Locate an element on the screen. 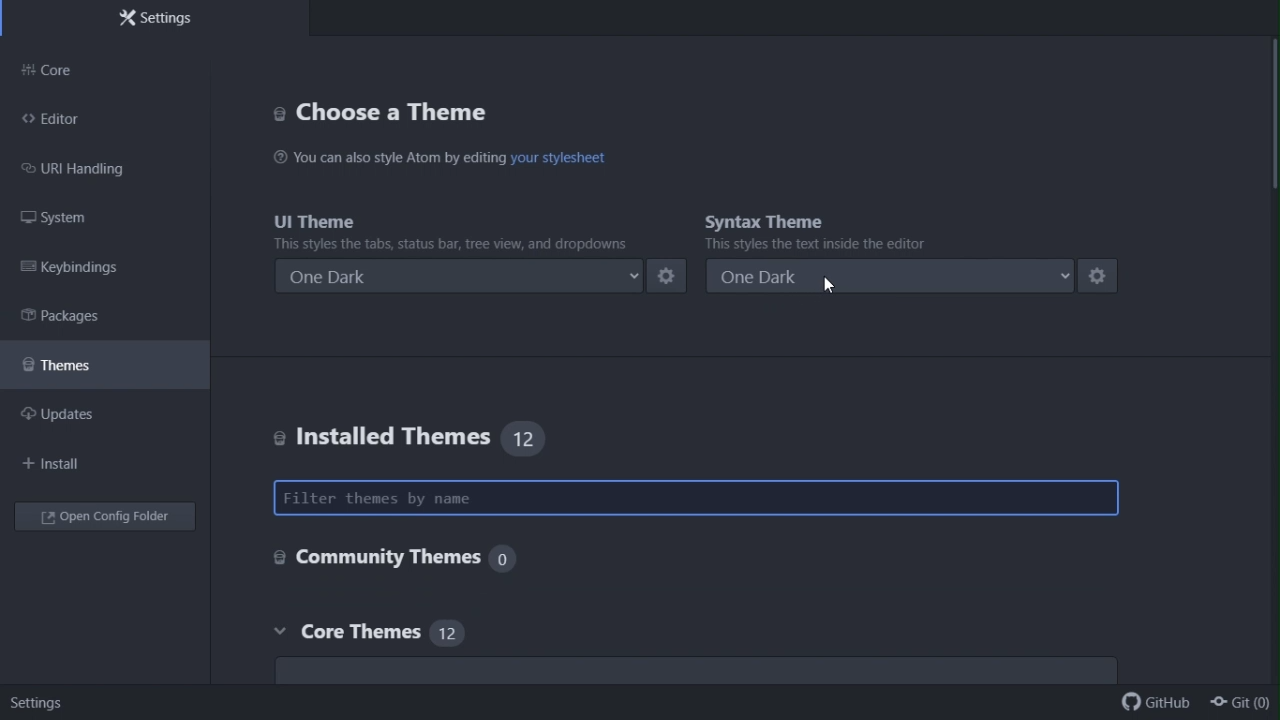 The image size is (1280, 720). themes is located at coordinates (75, 362).